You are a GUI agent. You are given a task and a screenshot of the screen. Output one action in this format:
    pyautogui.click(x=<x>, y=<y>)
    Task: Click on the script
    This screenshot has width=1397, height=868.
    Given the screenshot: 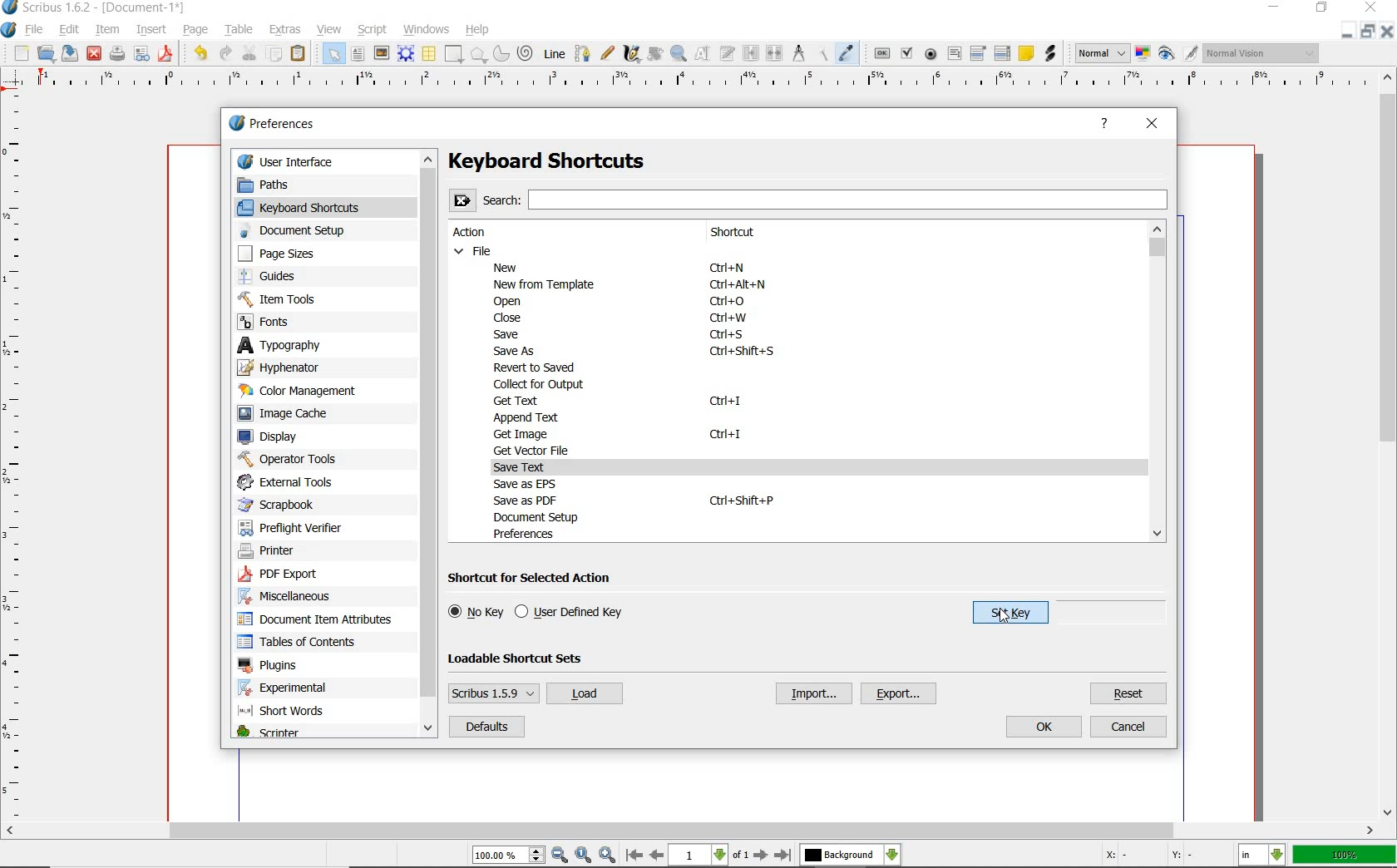 What is the action you would take?
    pyautogui.click(x=375, y=30)
    